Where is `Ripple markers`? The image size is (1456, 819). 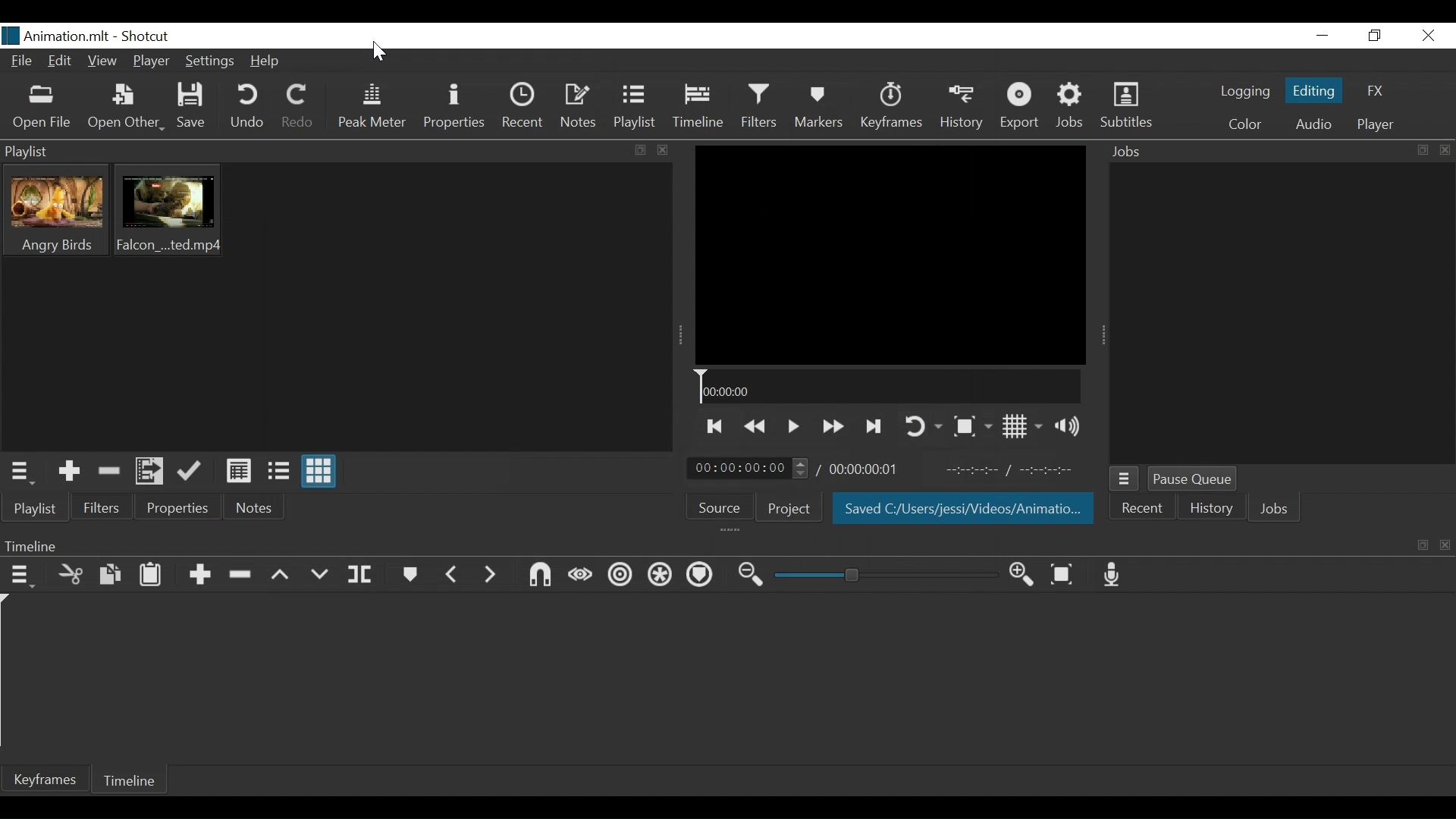 Ripple markers is located at coordinates (701, 576).